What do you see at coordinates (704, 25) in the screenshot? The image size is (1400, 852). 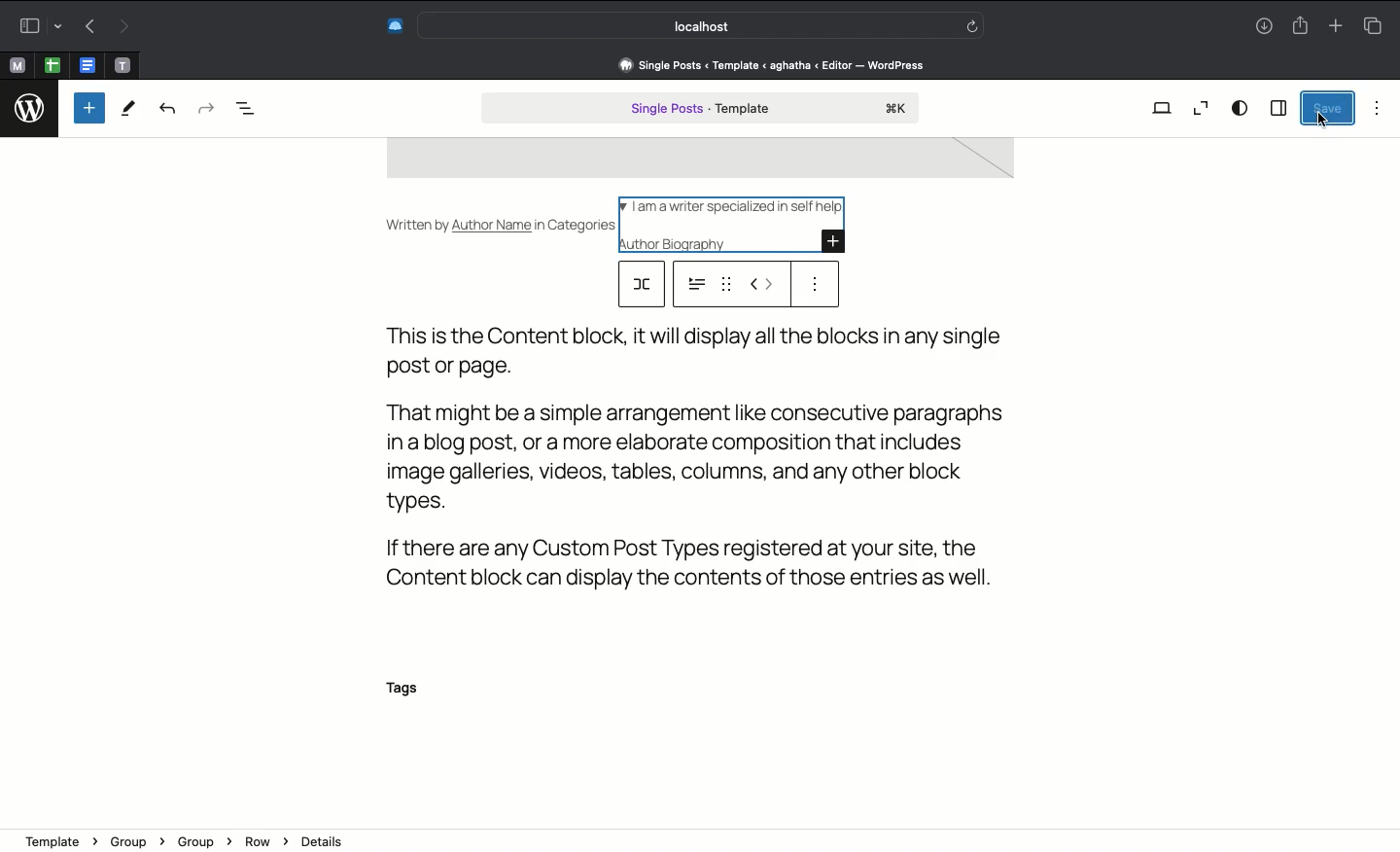 I see `Search bar` at bounding box center [704, 25].